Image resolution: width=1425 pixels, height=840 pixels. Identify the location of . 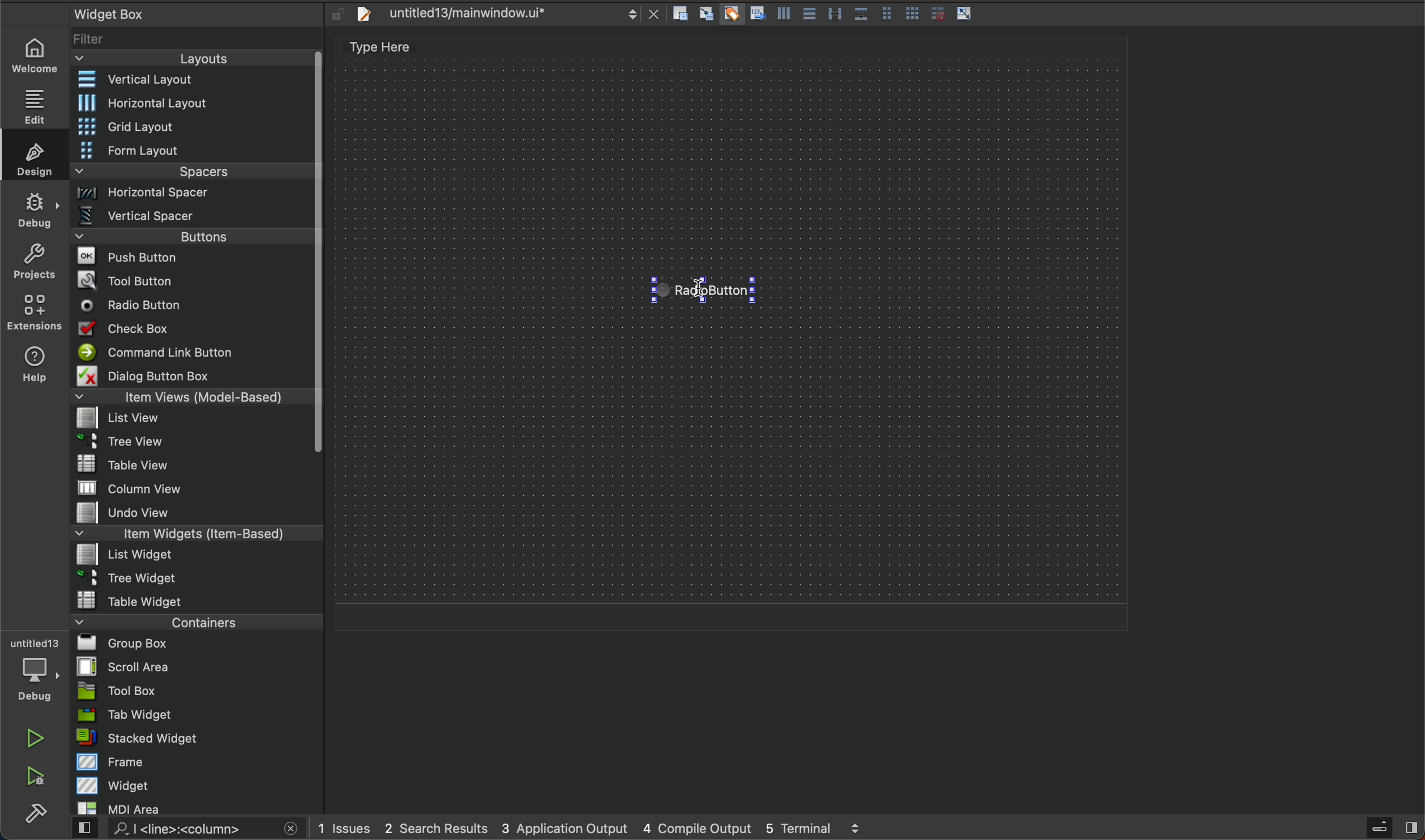
(194, 128).